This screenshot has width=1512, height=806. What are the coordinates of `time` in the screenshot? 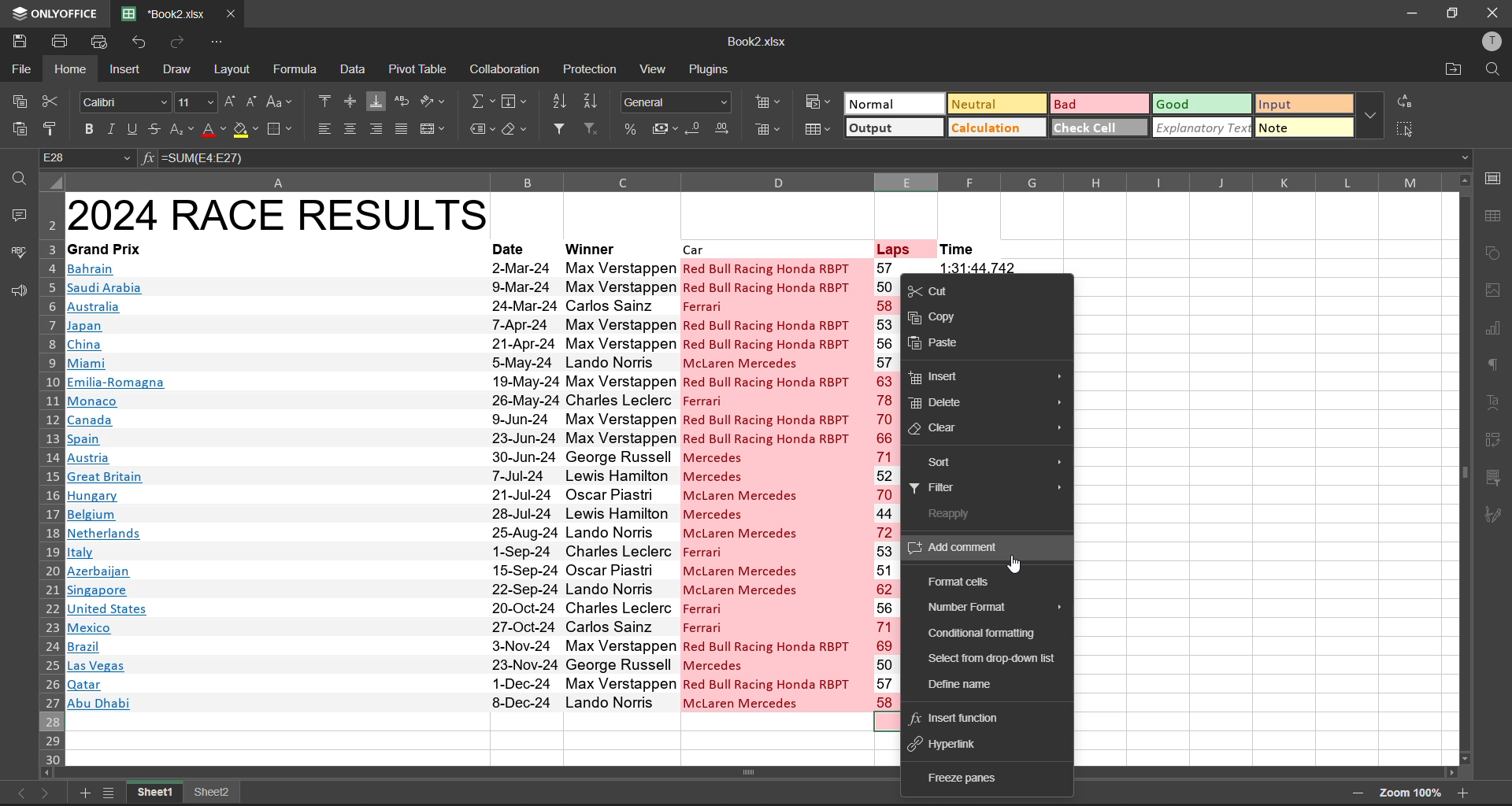 It's located at (961, 248).